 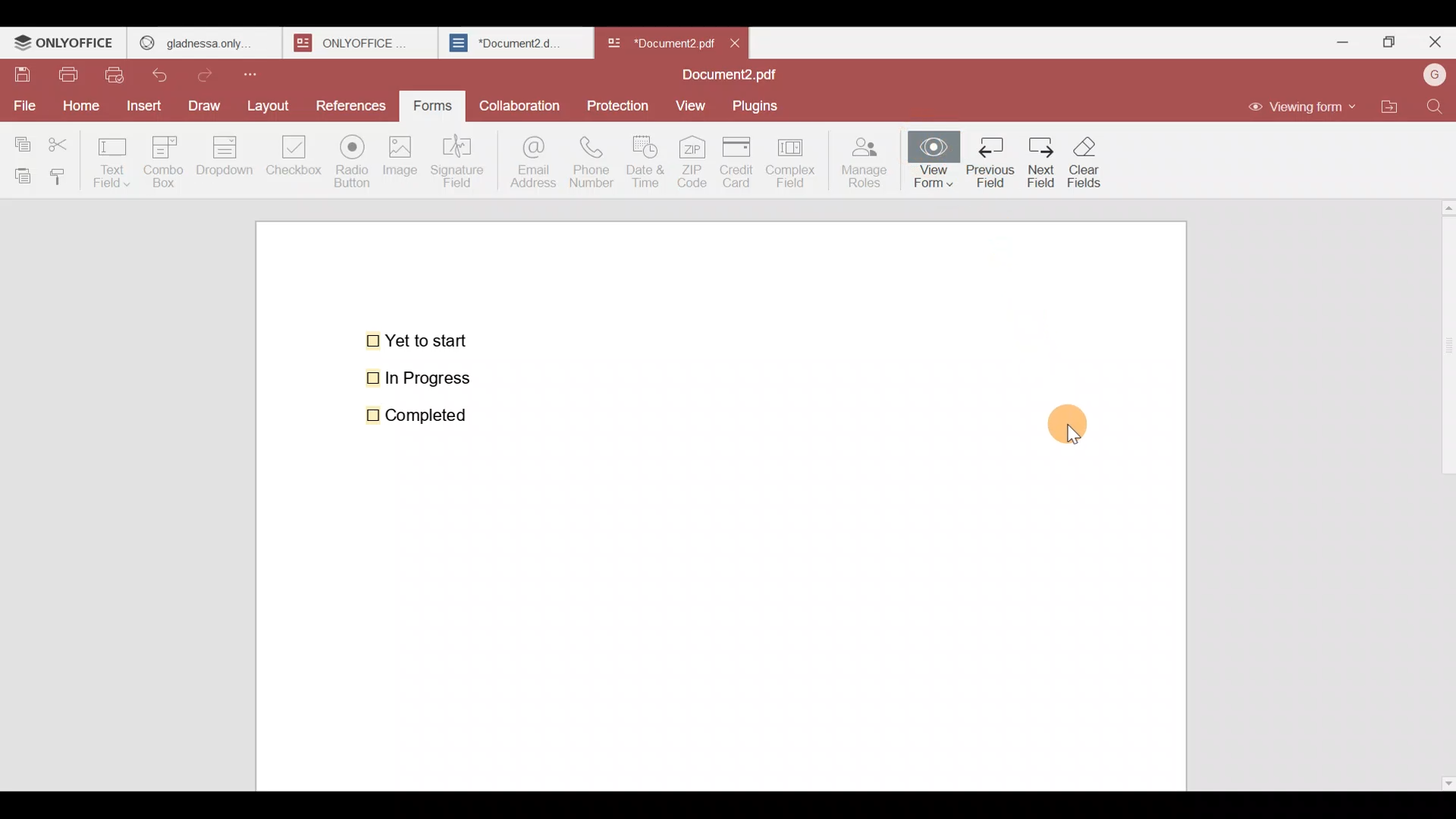 I want to click on View form, so click(x=932, y=163).